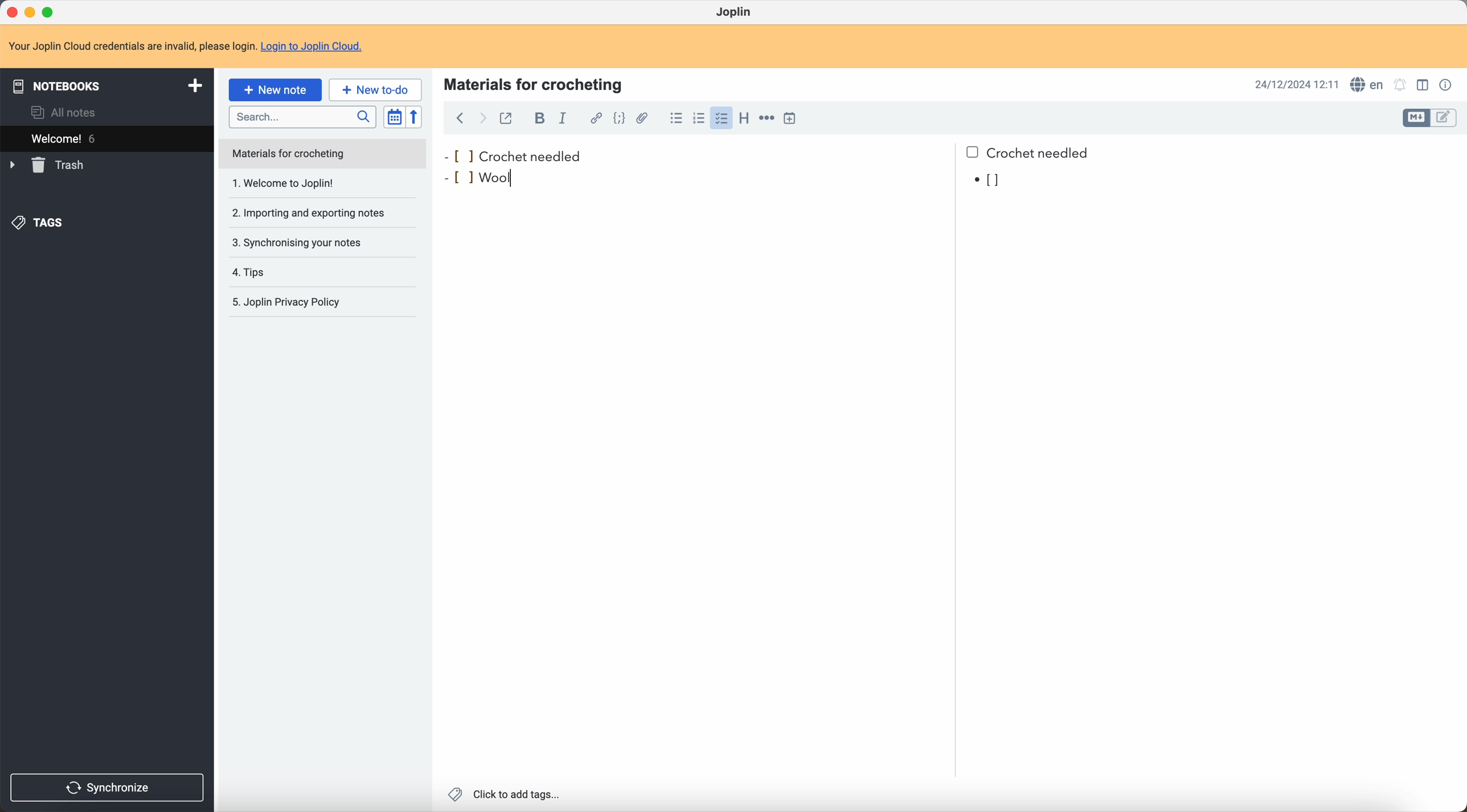 The height and width of the screenshot is (812, 1467). What do you see at coordinates (315, 242) in the screenshot?
I see `synchronising your notes` at bounding box center [315, 242].